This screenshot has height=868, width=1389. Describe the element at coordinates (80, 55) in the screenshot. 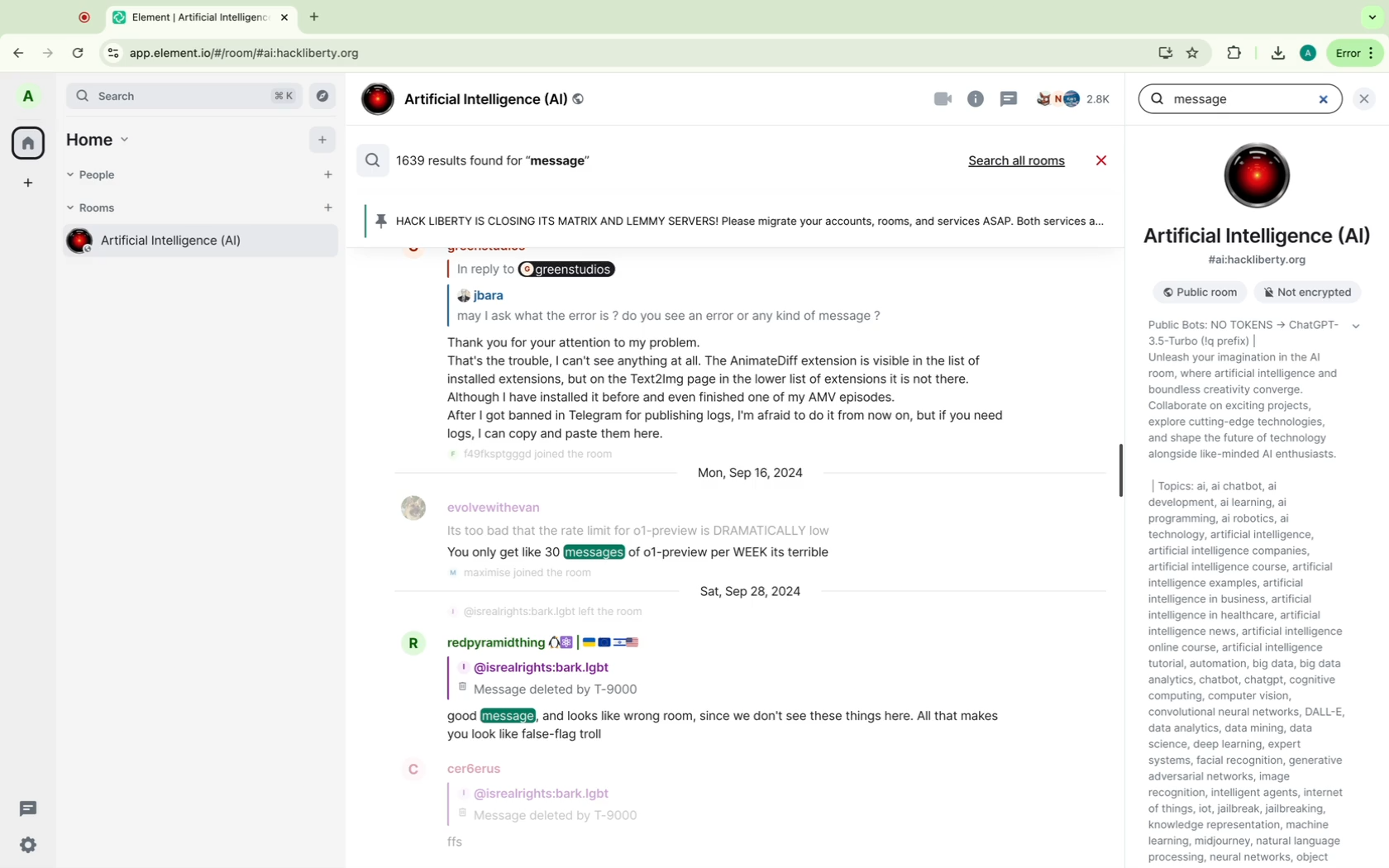

I see `refresh` at that location.